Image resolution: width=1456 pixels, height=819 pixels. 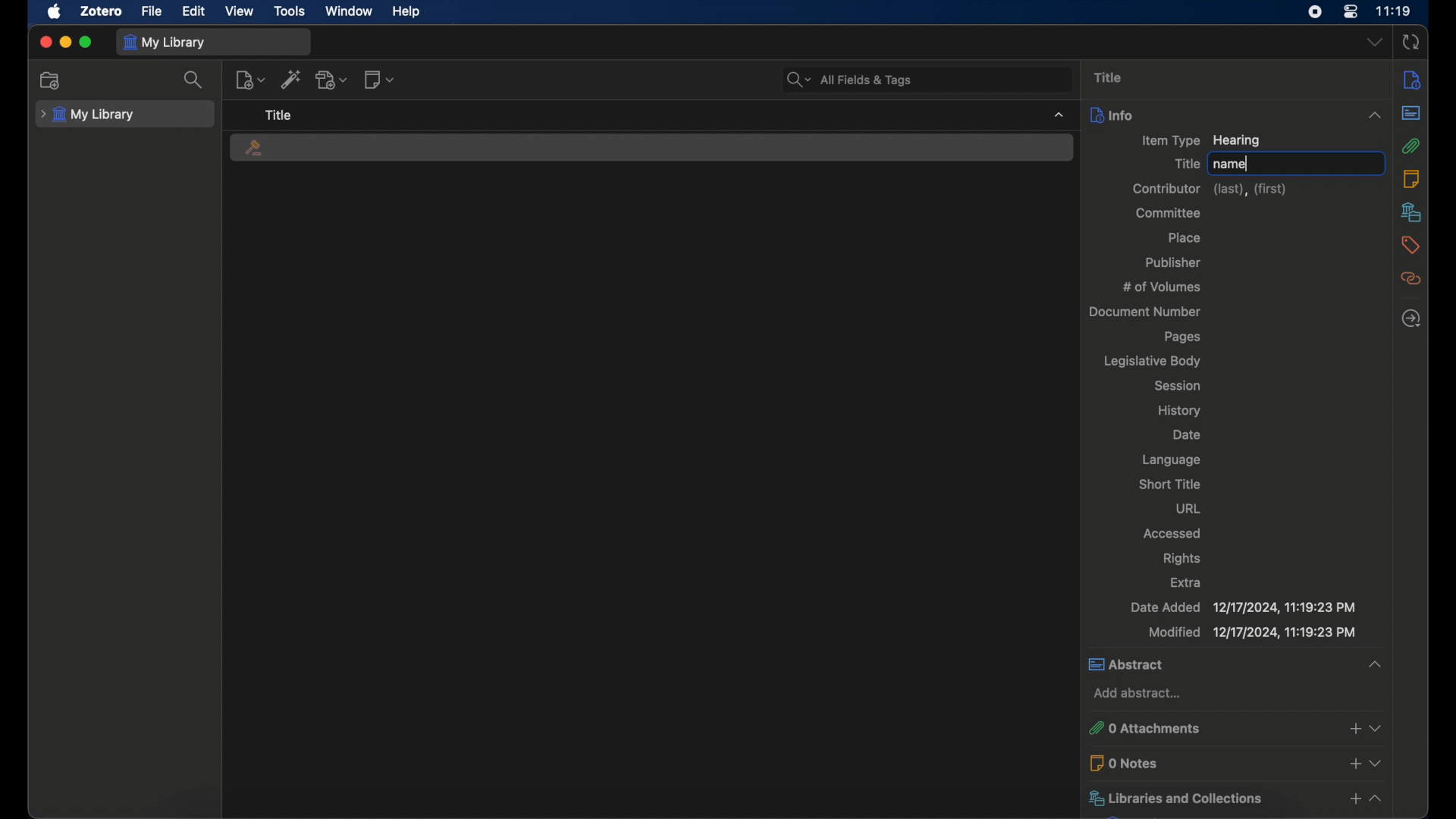 I want to click on close, so click(x=45, y=42).